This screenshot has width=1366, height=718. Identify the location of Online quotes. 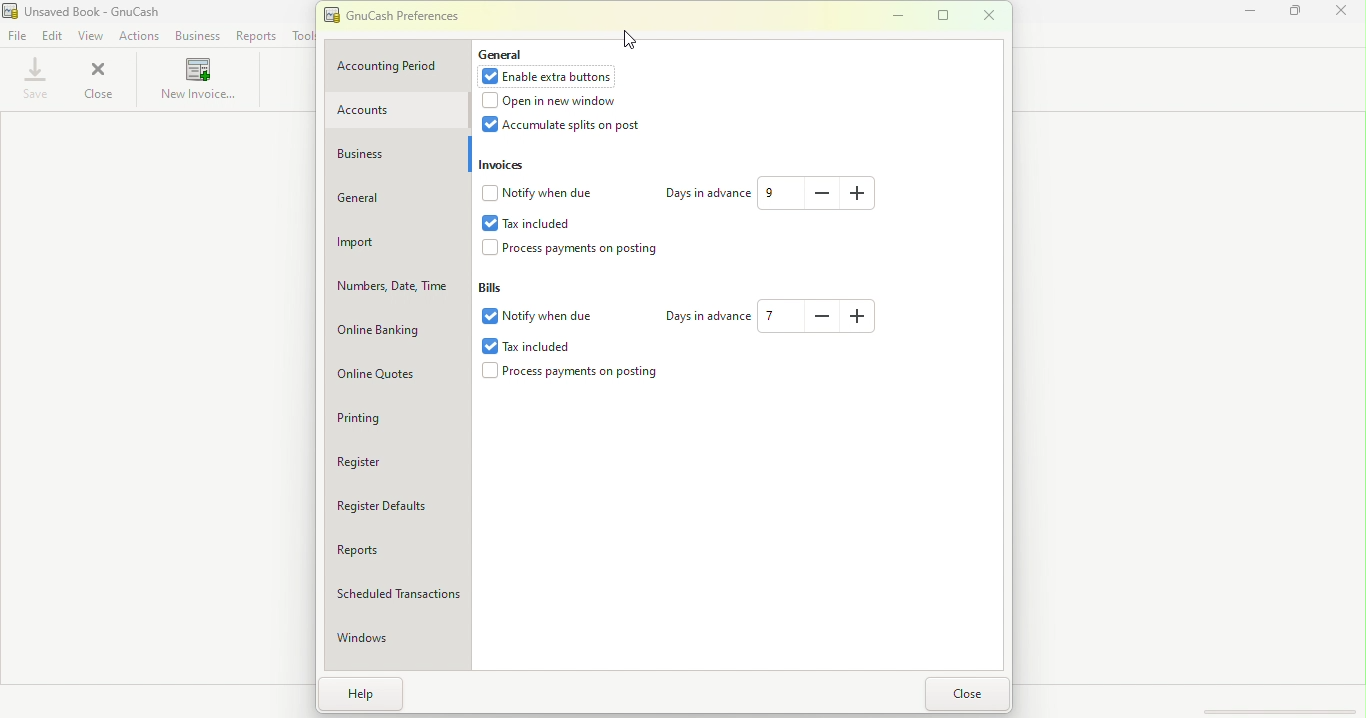
(397, 373).